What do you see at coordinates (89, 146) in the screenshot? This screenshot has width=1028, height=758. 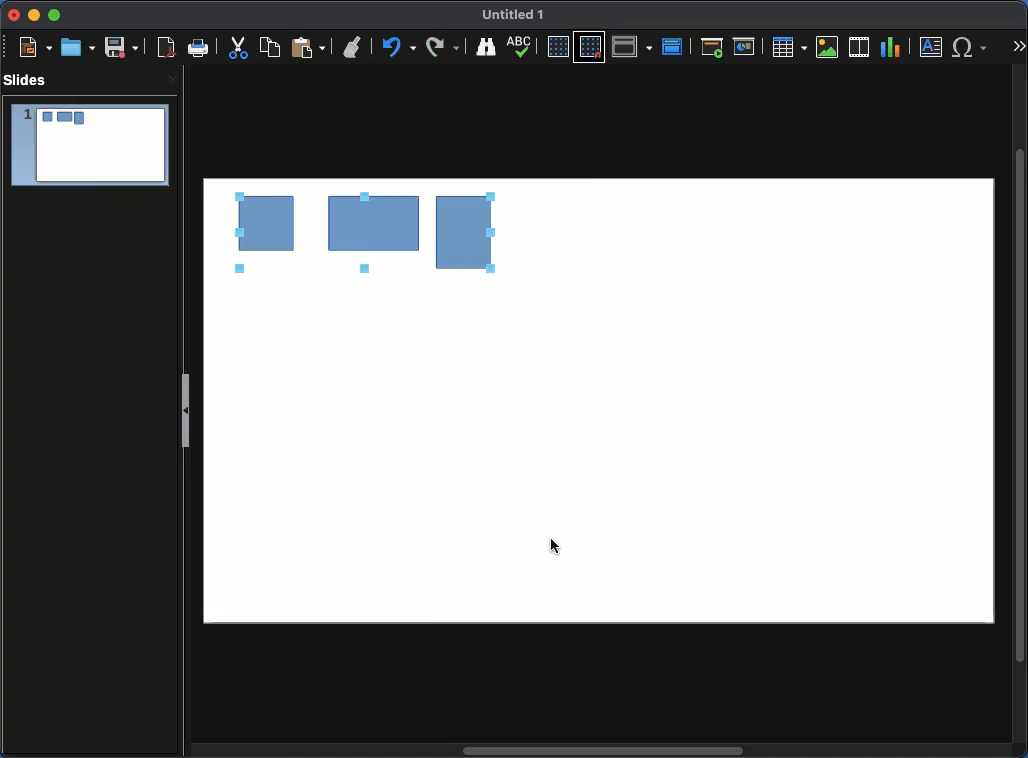 I see `Slide` at bounding box center [89, 146].